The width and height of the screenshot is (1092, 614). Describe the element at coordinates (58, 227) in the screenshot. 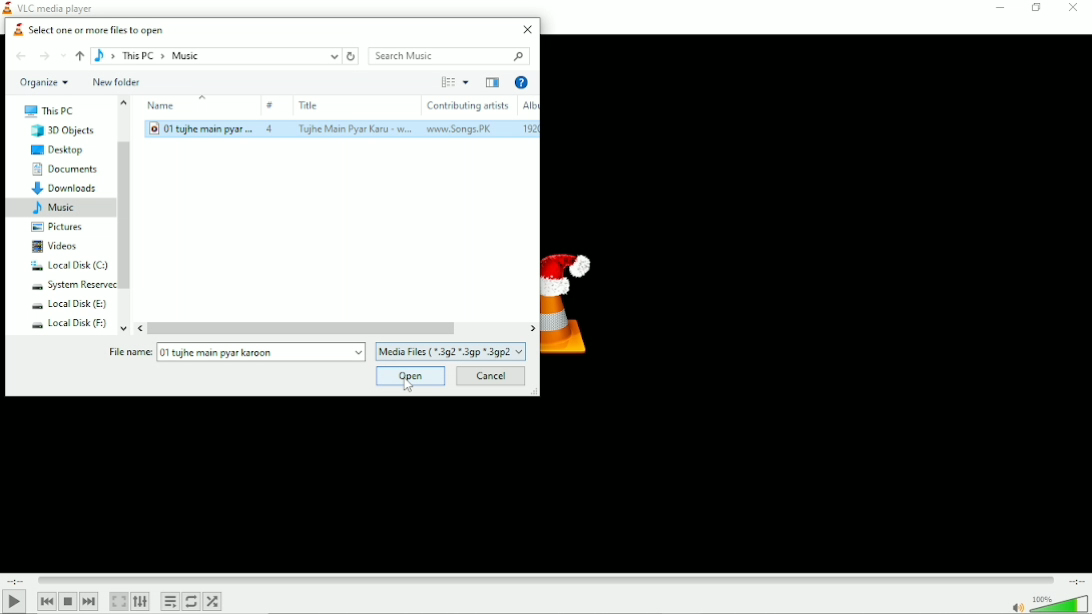

I see `Pictures` at that location.